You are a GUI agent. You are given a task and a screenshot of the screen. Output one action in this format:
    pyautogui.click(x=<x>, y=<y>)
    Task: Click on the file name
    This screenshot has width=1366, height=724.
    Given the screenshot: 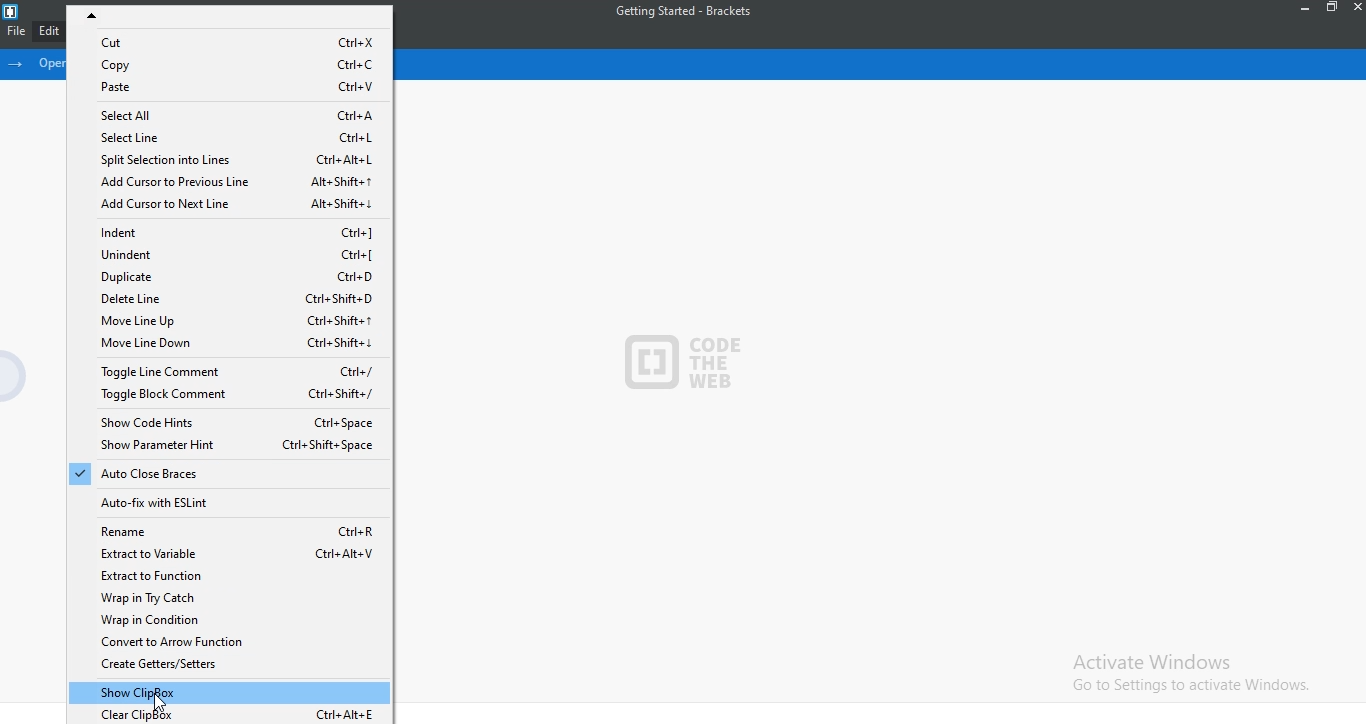 What is the action you would take?
    pyautogui.click(x=692, y=10)
    